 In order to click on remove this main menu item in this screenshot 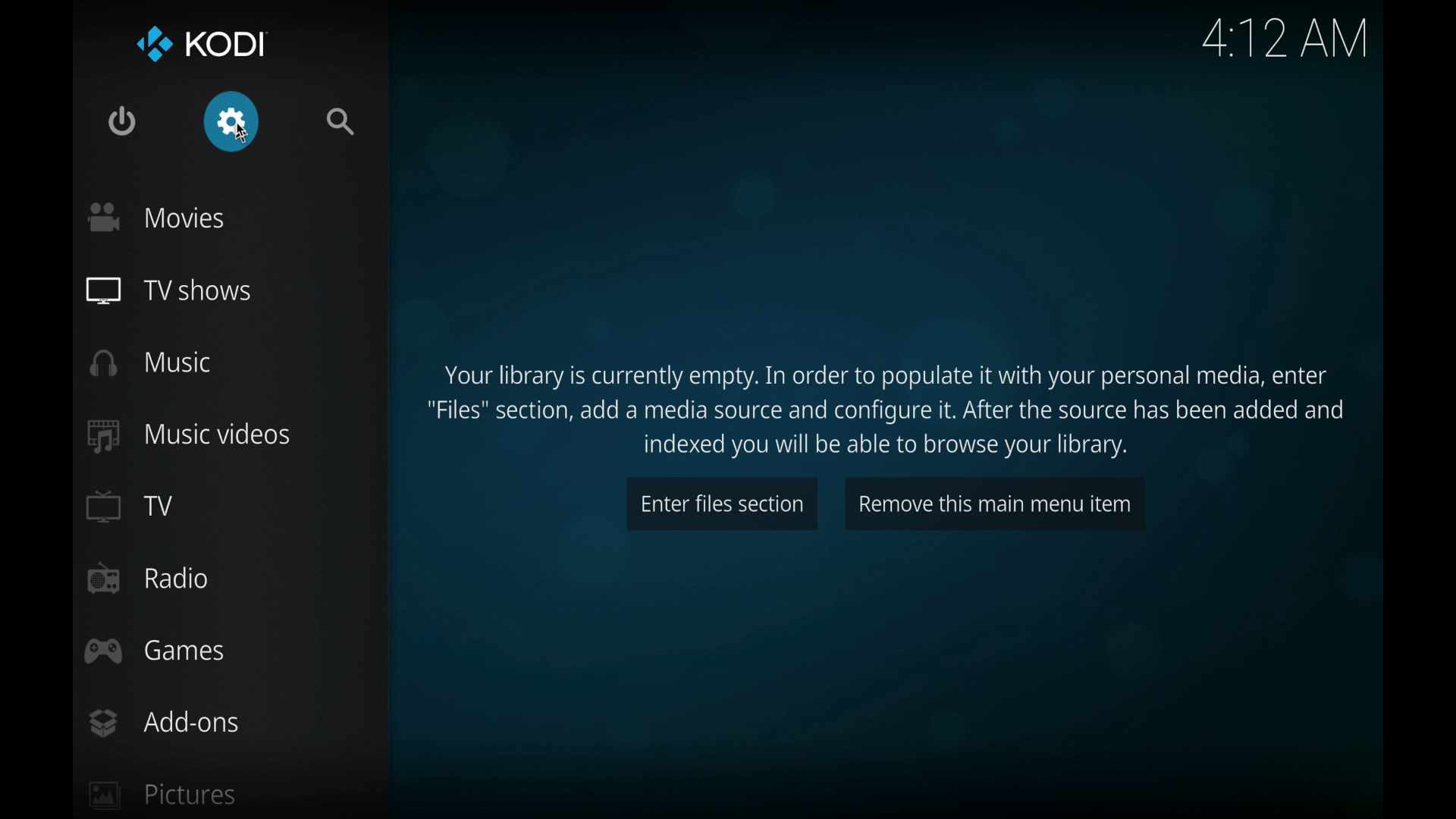, I will do `click(995, 502)`.